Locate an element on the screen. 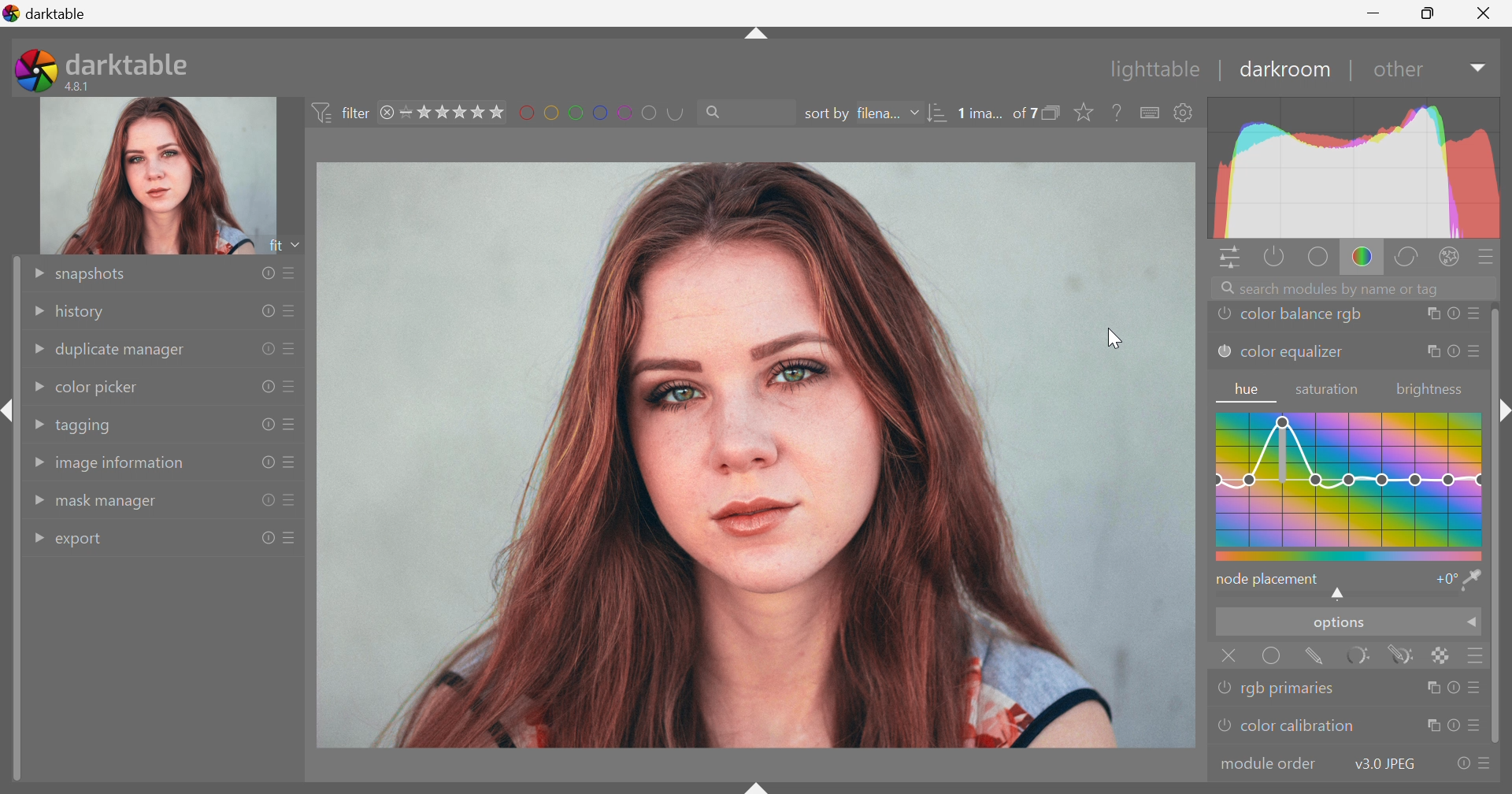 The image size is (1512, 794). reset is located at coordinates (1453, 315).